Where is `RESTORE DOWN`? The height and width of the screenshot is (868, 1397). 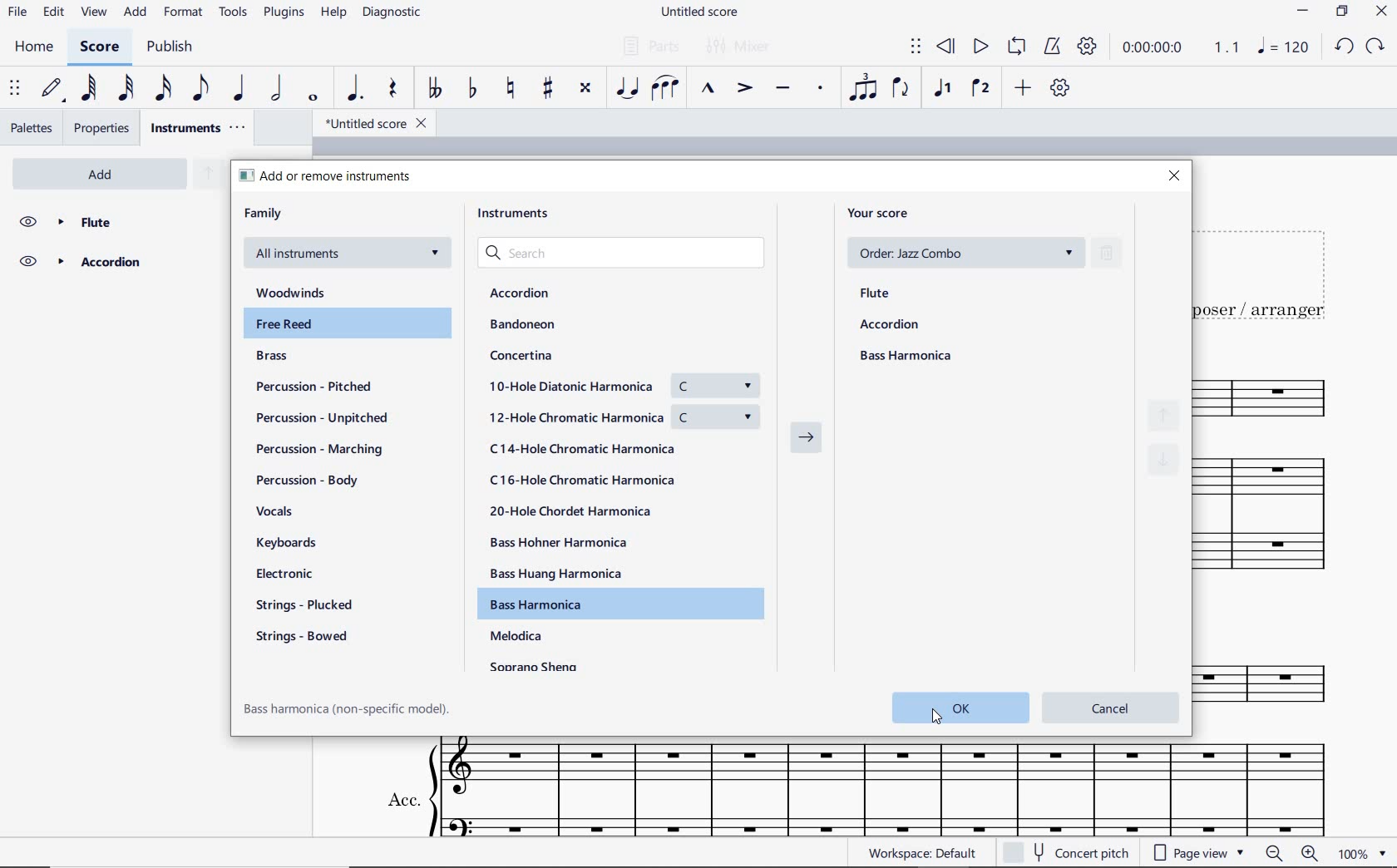
RESTORE DOWN is located at coordinates (1341, 12).